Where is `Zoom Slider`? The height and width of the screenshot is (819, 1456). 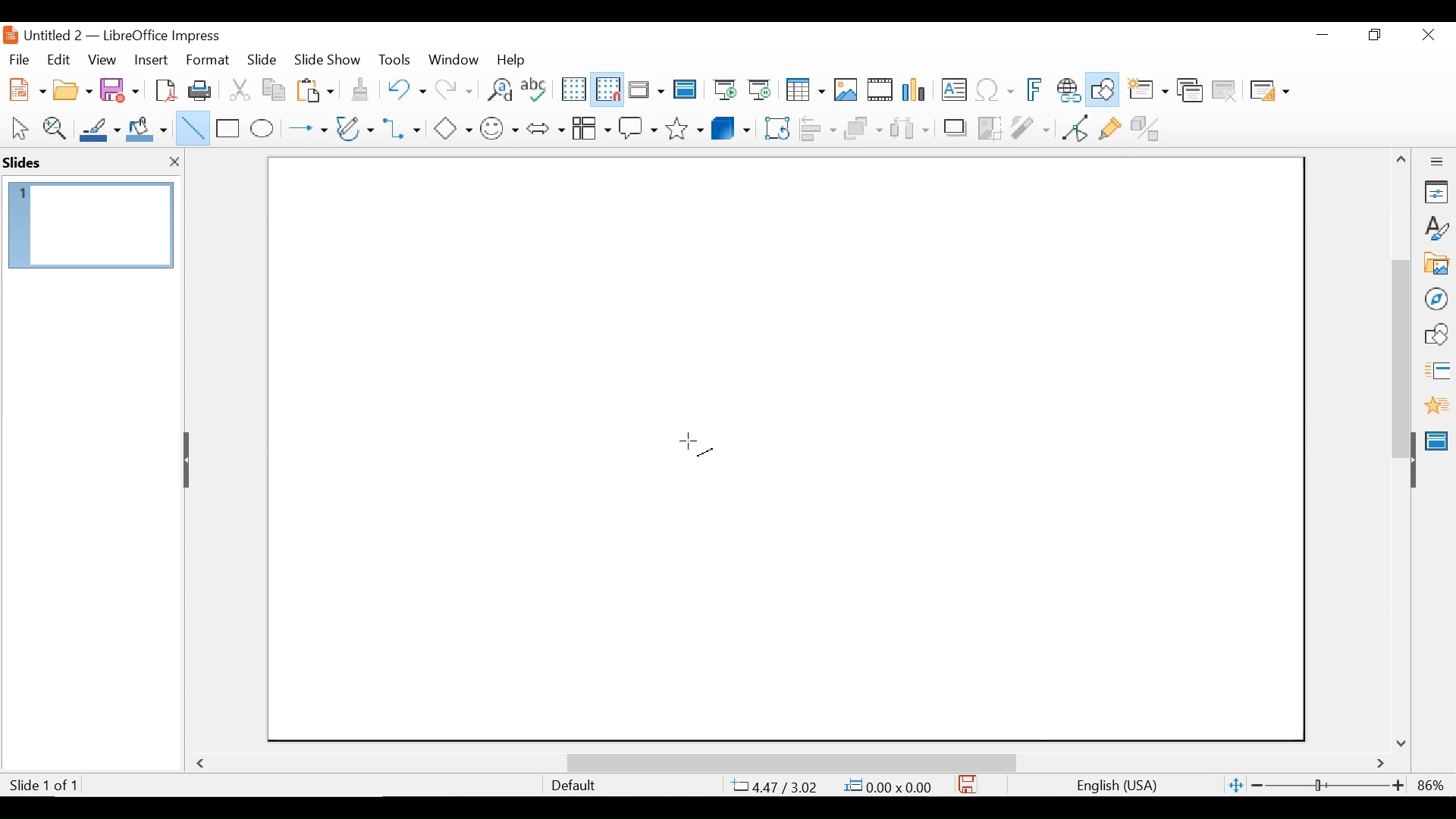 Zoom Slider is located at coordinates (1326, 784).